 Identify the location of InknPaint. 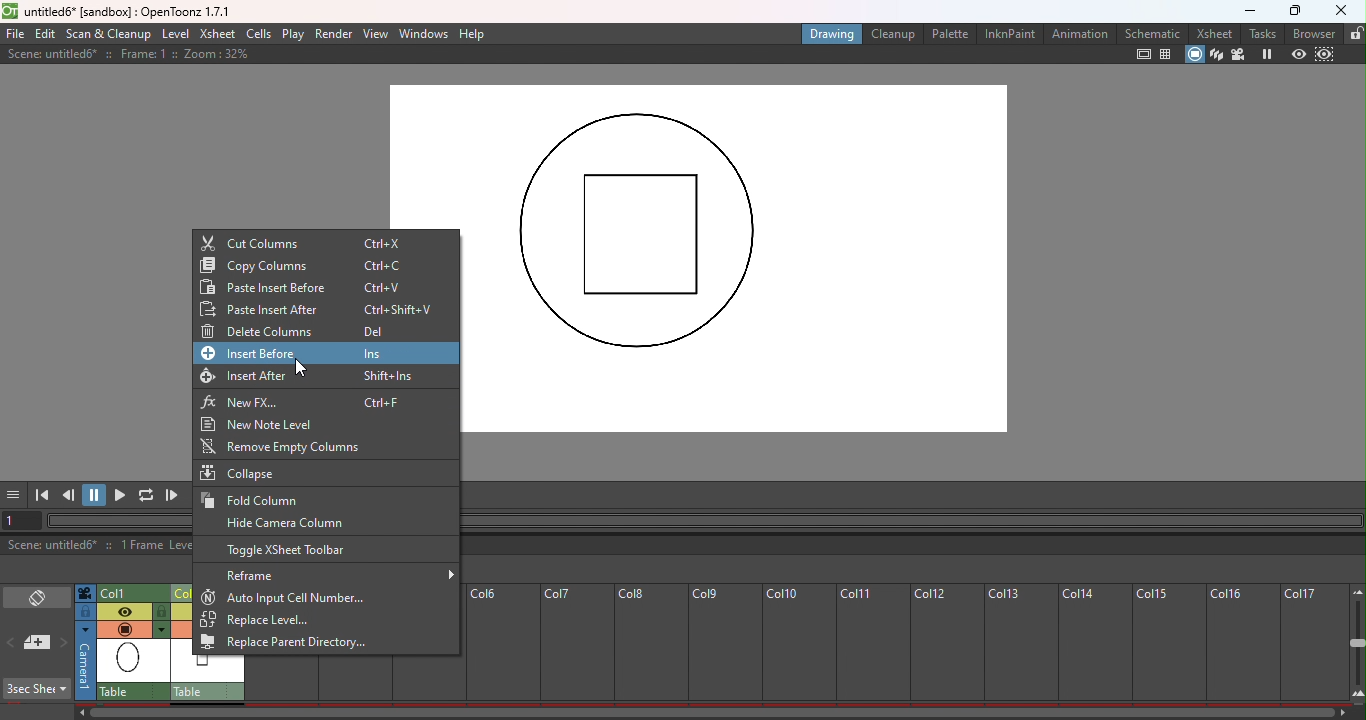
(1010, 35).